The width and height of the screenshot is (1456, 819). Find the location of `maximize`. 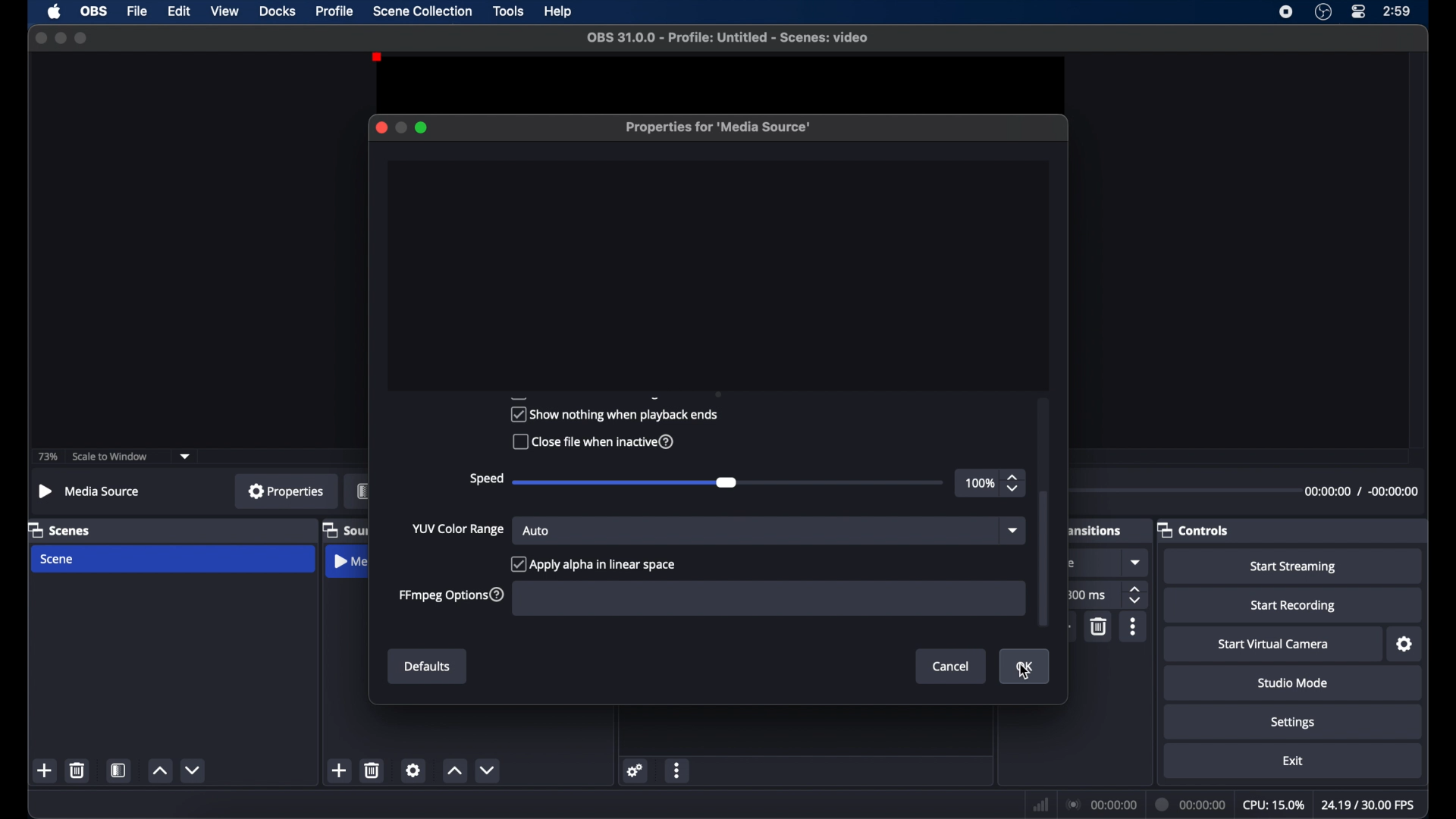

maximize is located at coordinates (422, 127).